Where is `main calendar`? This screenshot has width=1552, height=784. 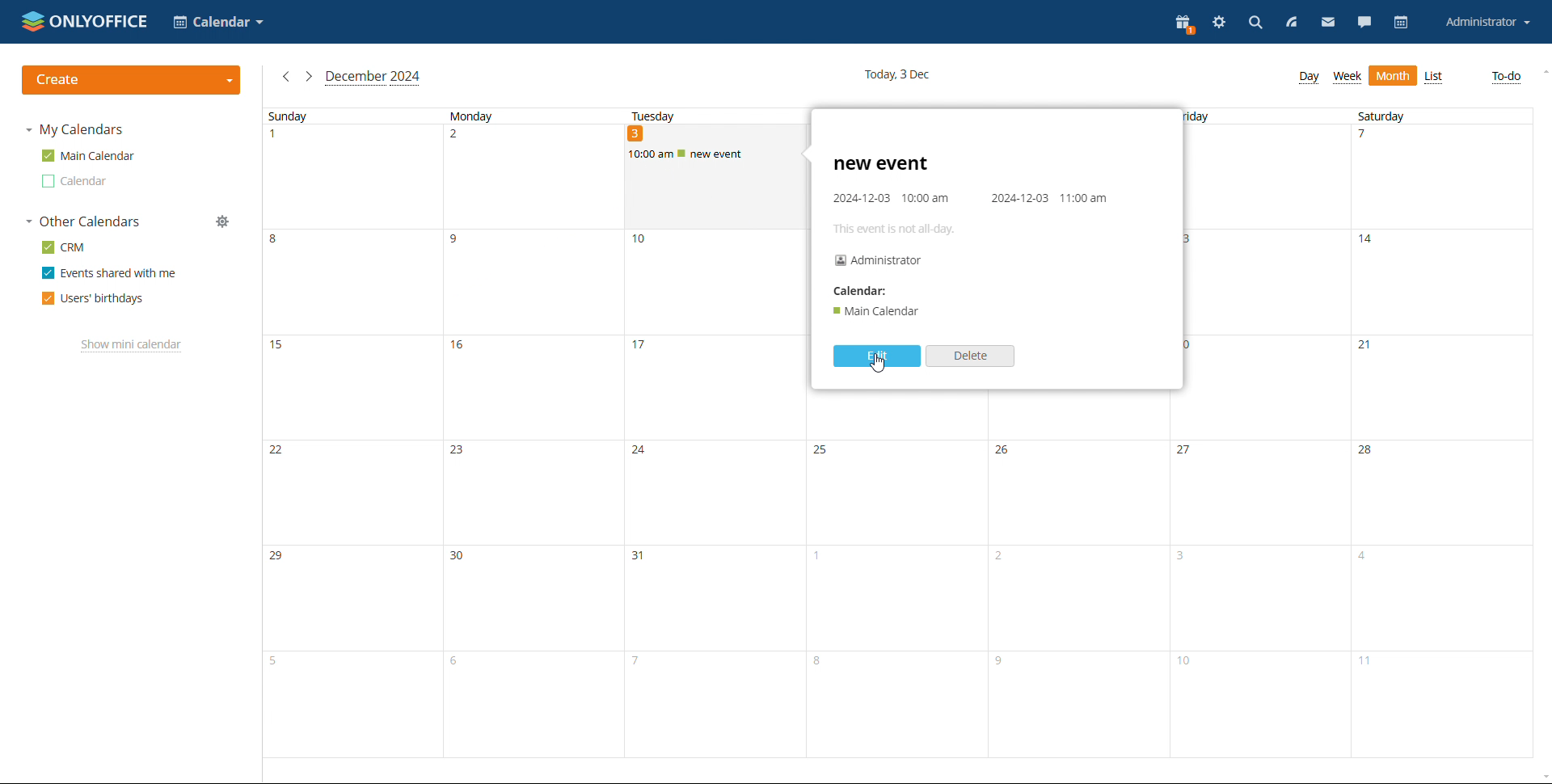 main calendar is located at coordinates (89, 155).